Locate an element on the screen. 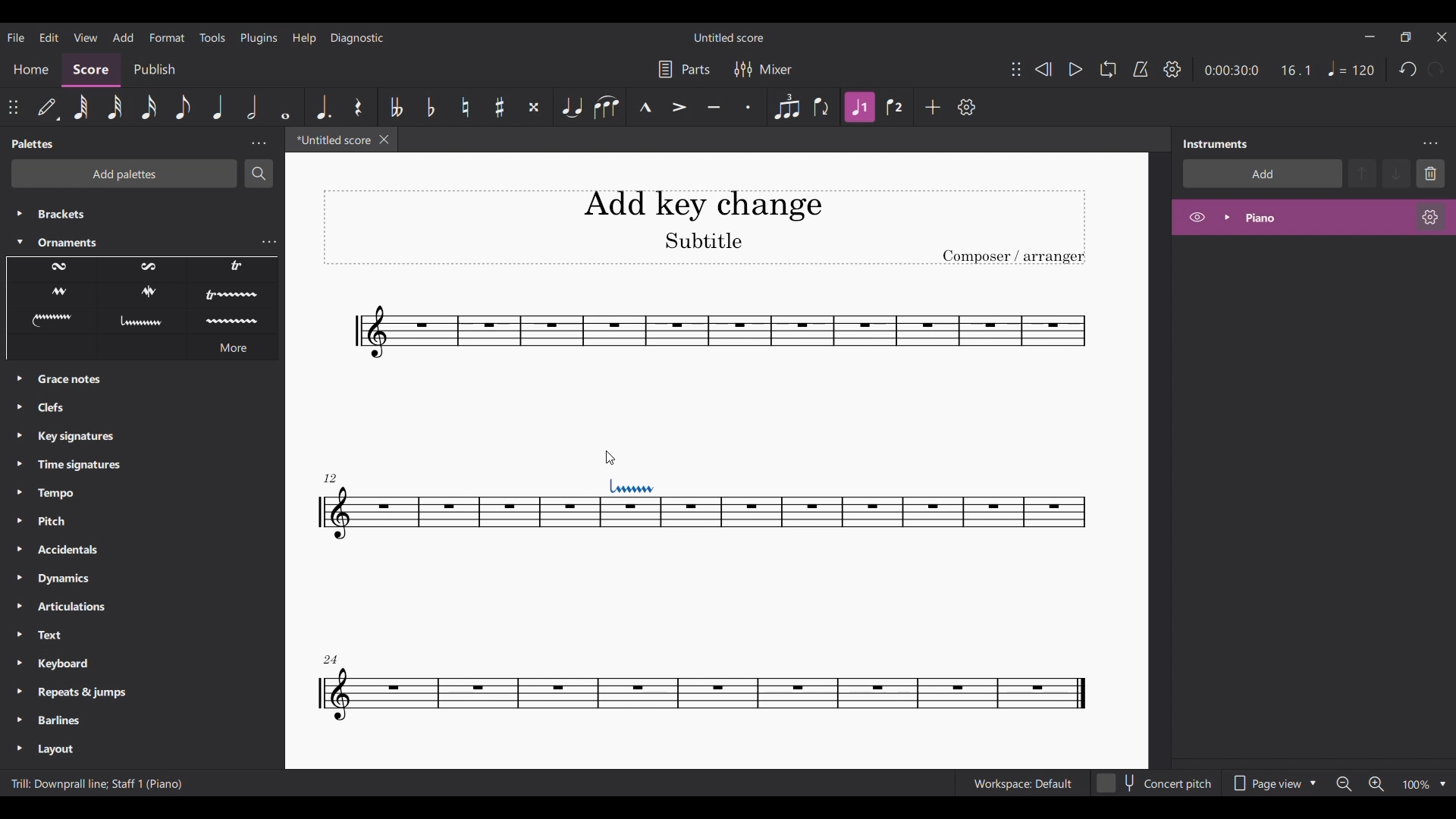 The height and width of the screenshot is (819, 1456). Manage parts is located at coordinates (685, 70).